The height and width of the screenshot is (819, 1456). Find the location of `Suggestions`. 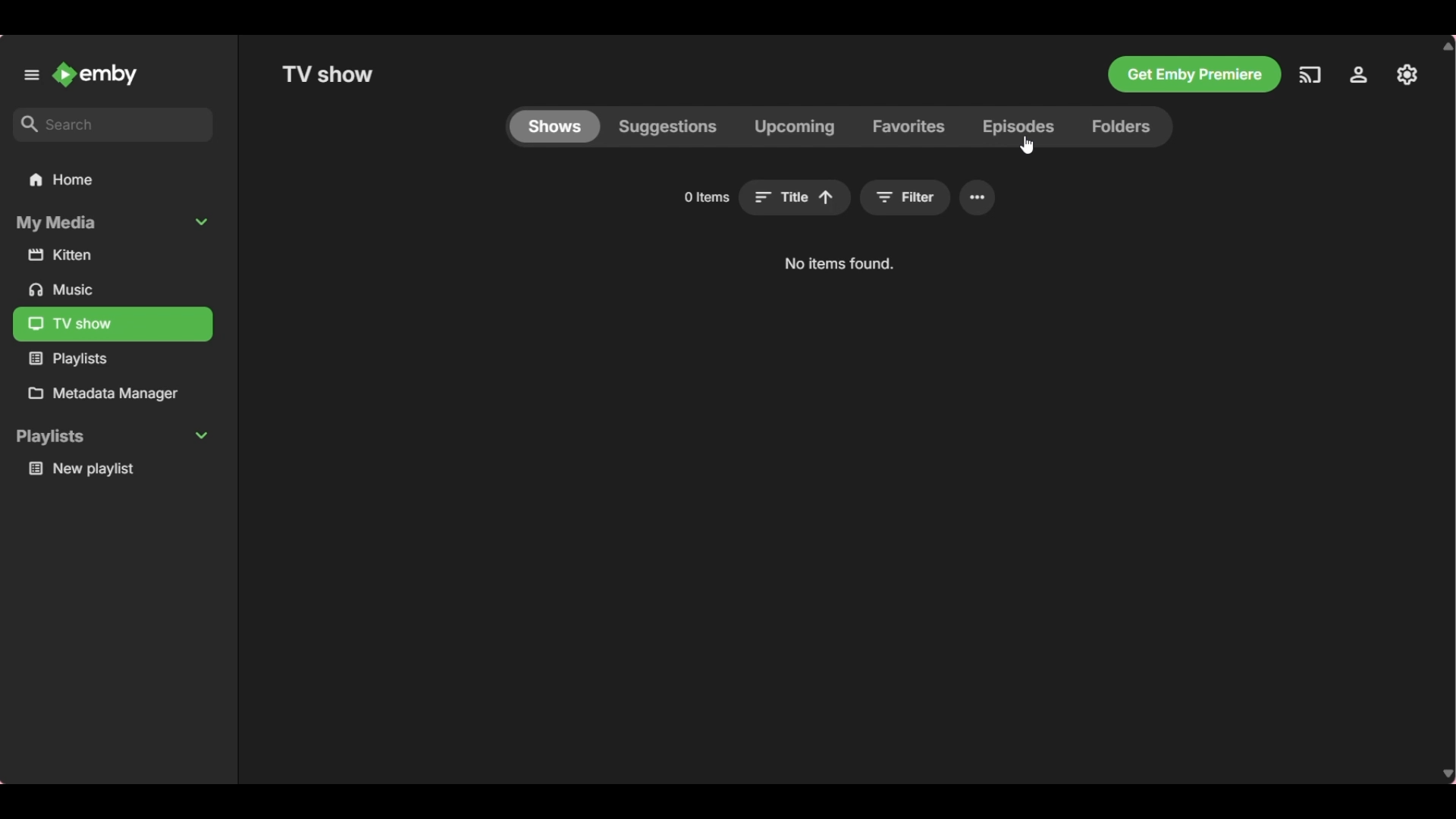

Suggestions is located at coordinates (666, 127).